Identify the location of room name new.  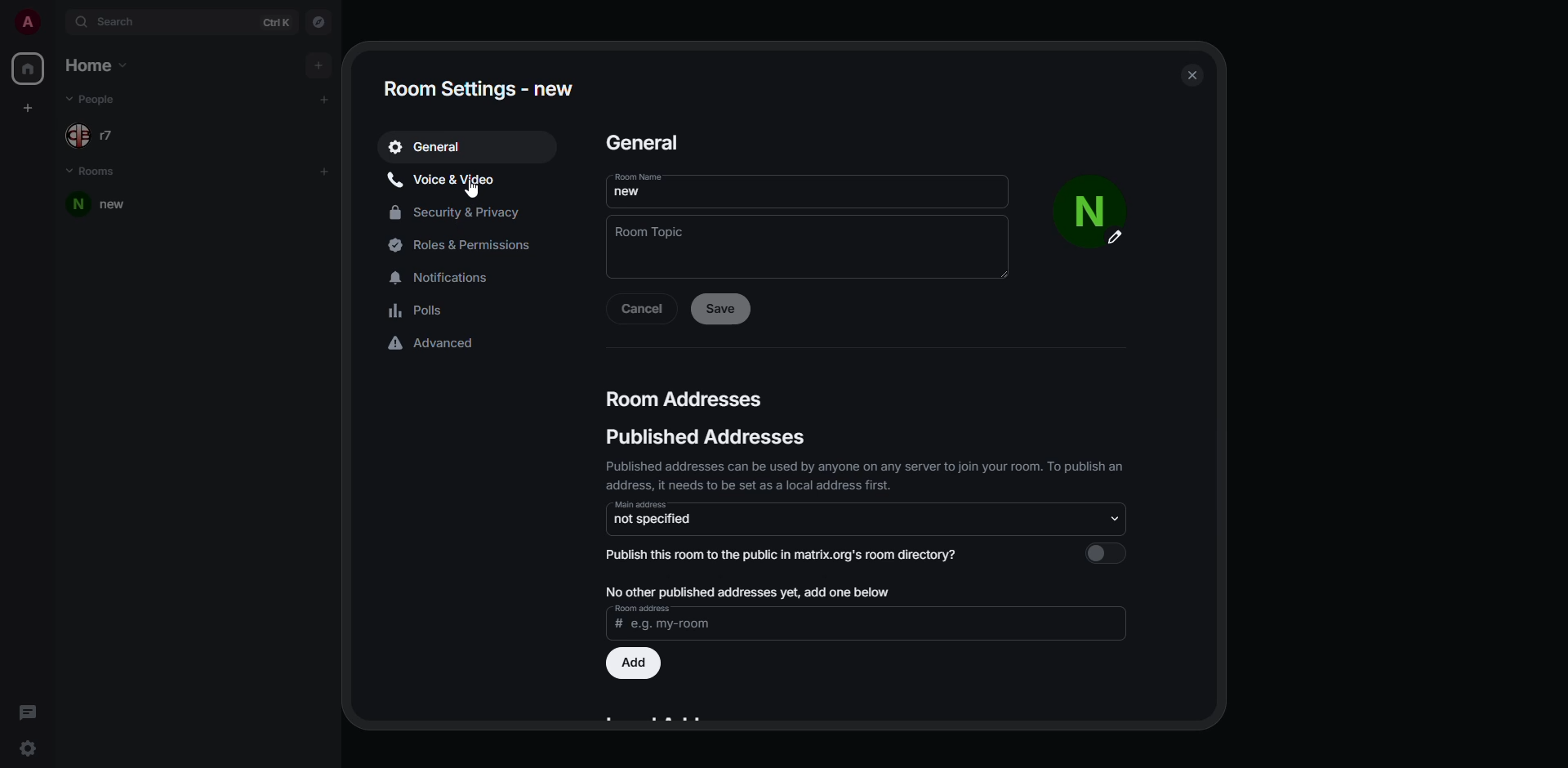
(648, 188).